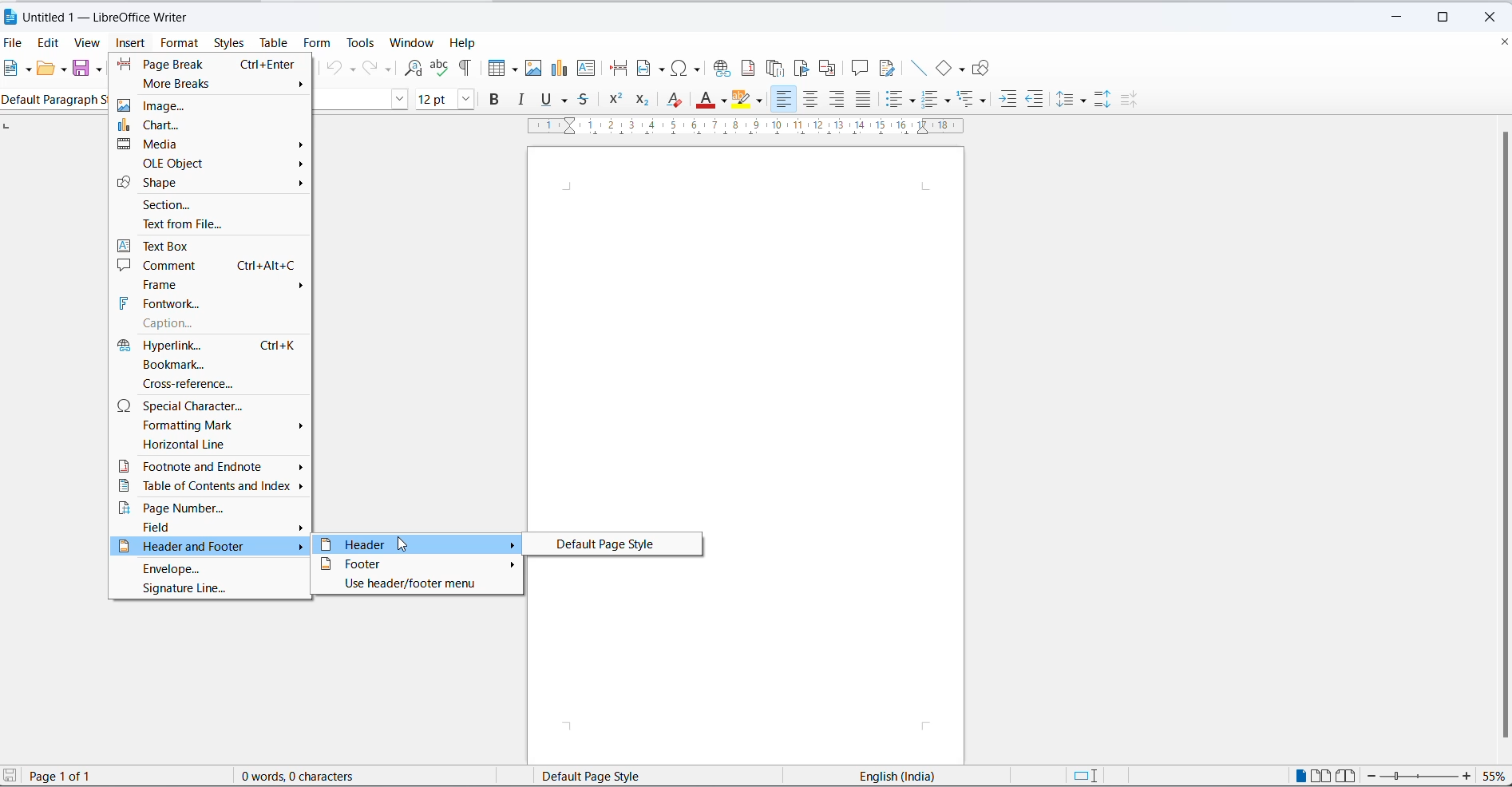 The image size is (1512, 787). What do you see at coordinates (1134, 102) in the screenshot?
I see `decrease paragraphing space` at bounding box center [1134, 102].